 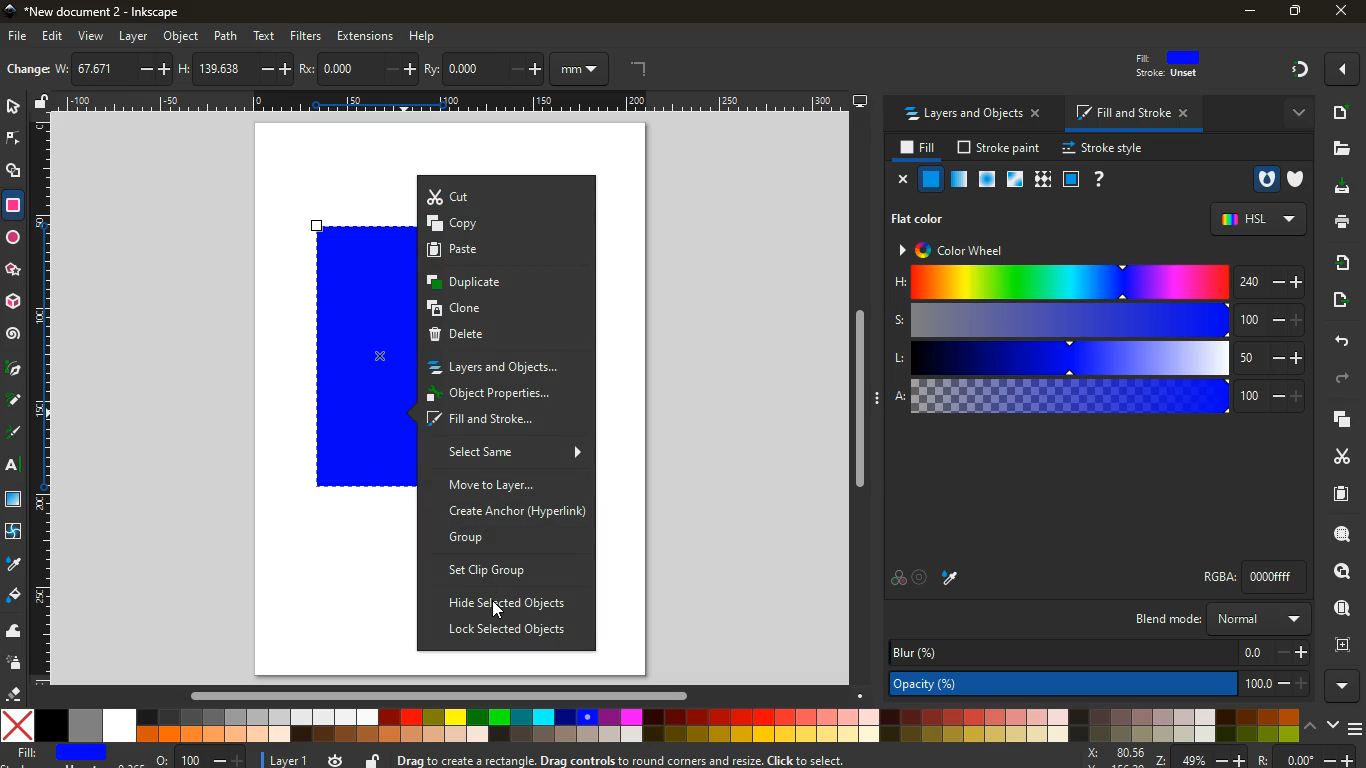 I want to click on unlock, so click(x=374, y=760).